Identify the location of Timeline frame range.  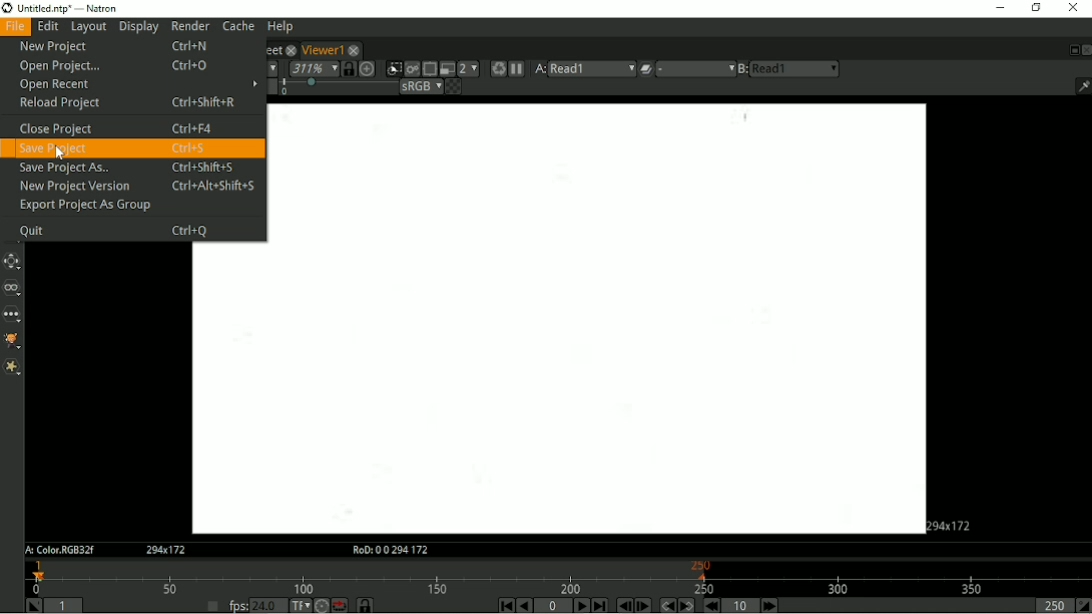
(364, 606).